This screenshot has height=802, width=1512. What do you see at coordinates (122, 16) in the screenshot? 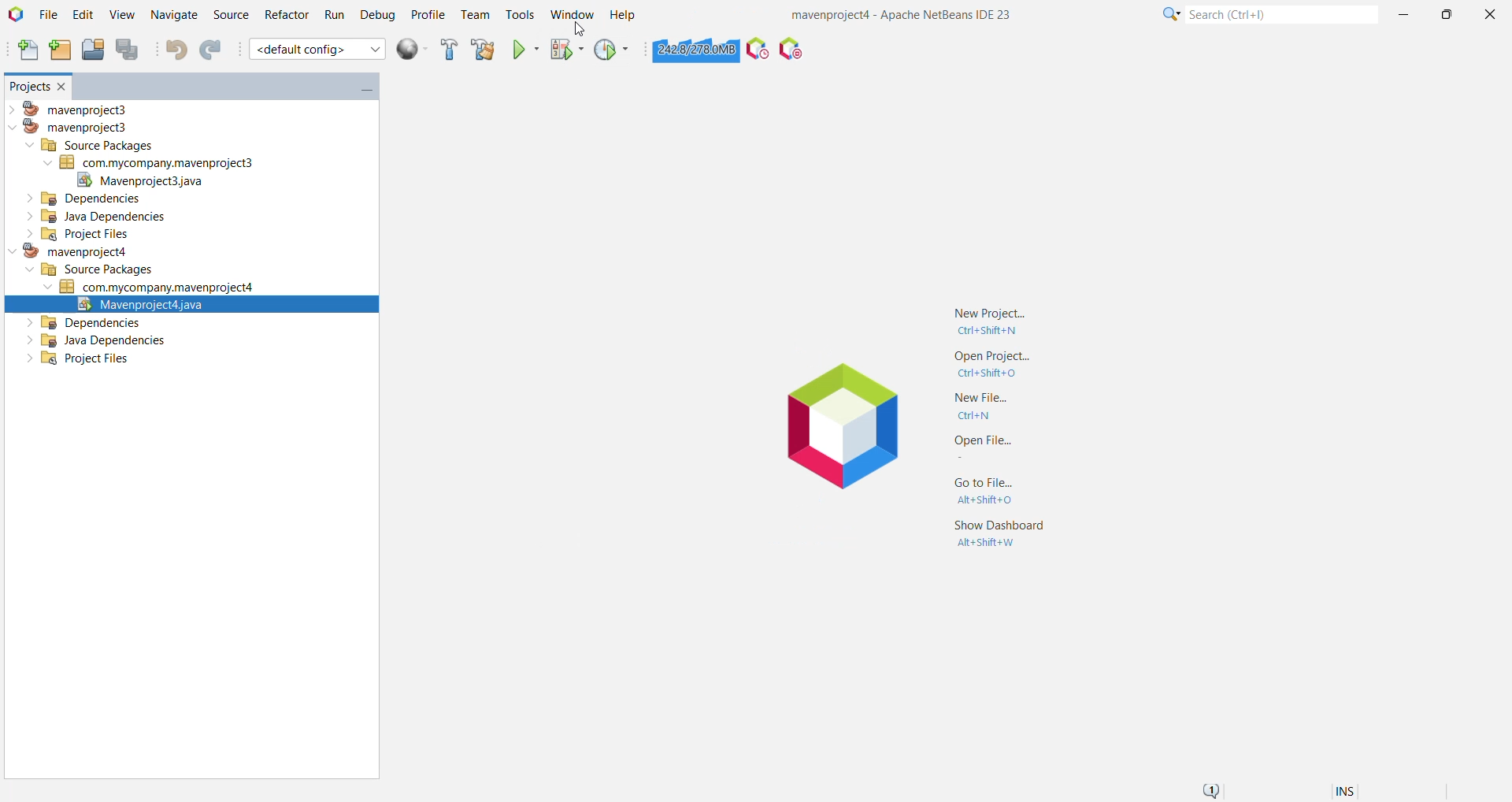
I see `View` at bounding box center [122, 16].